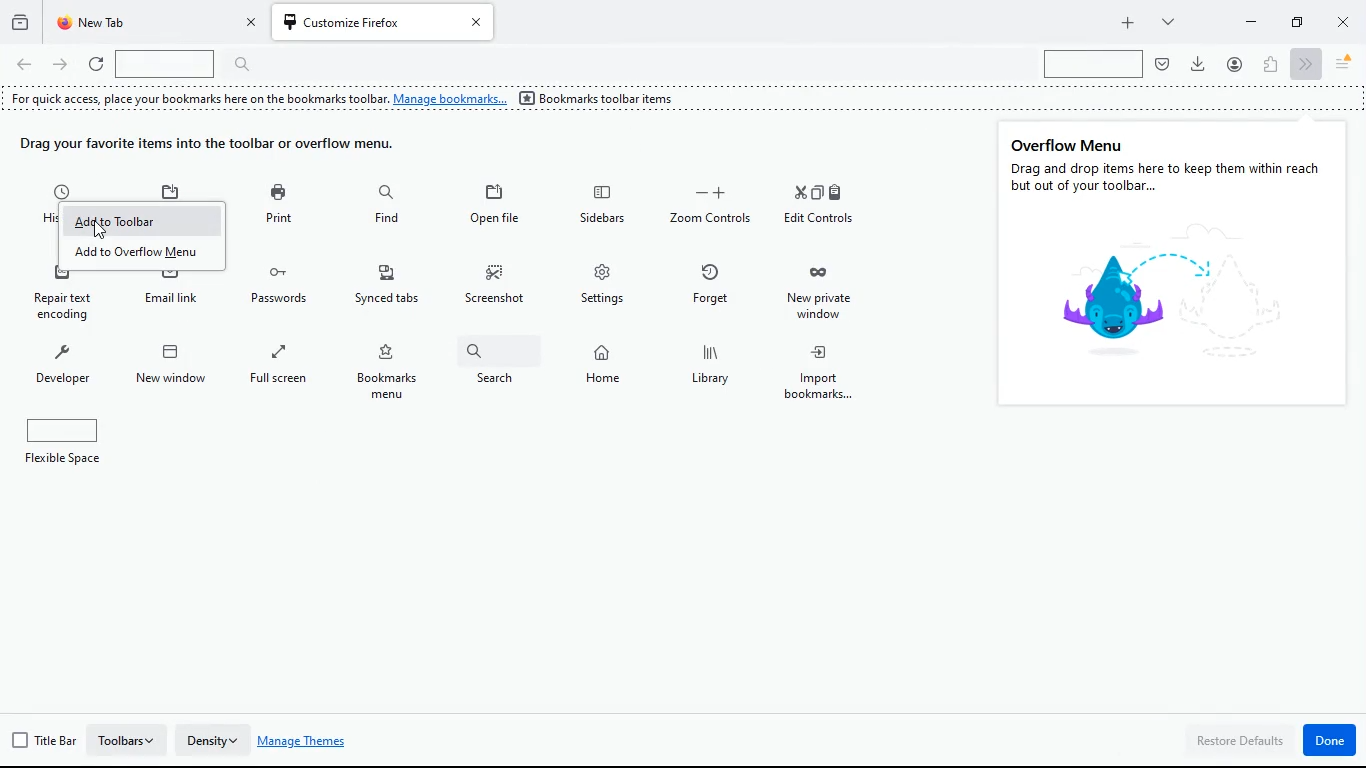  Describe the element at coordinates (180, 293) in the screenshot. I see `email link` at that location.